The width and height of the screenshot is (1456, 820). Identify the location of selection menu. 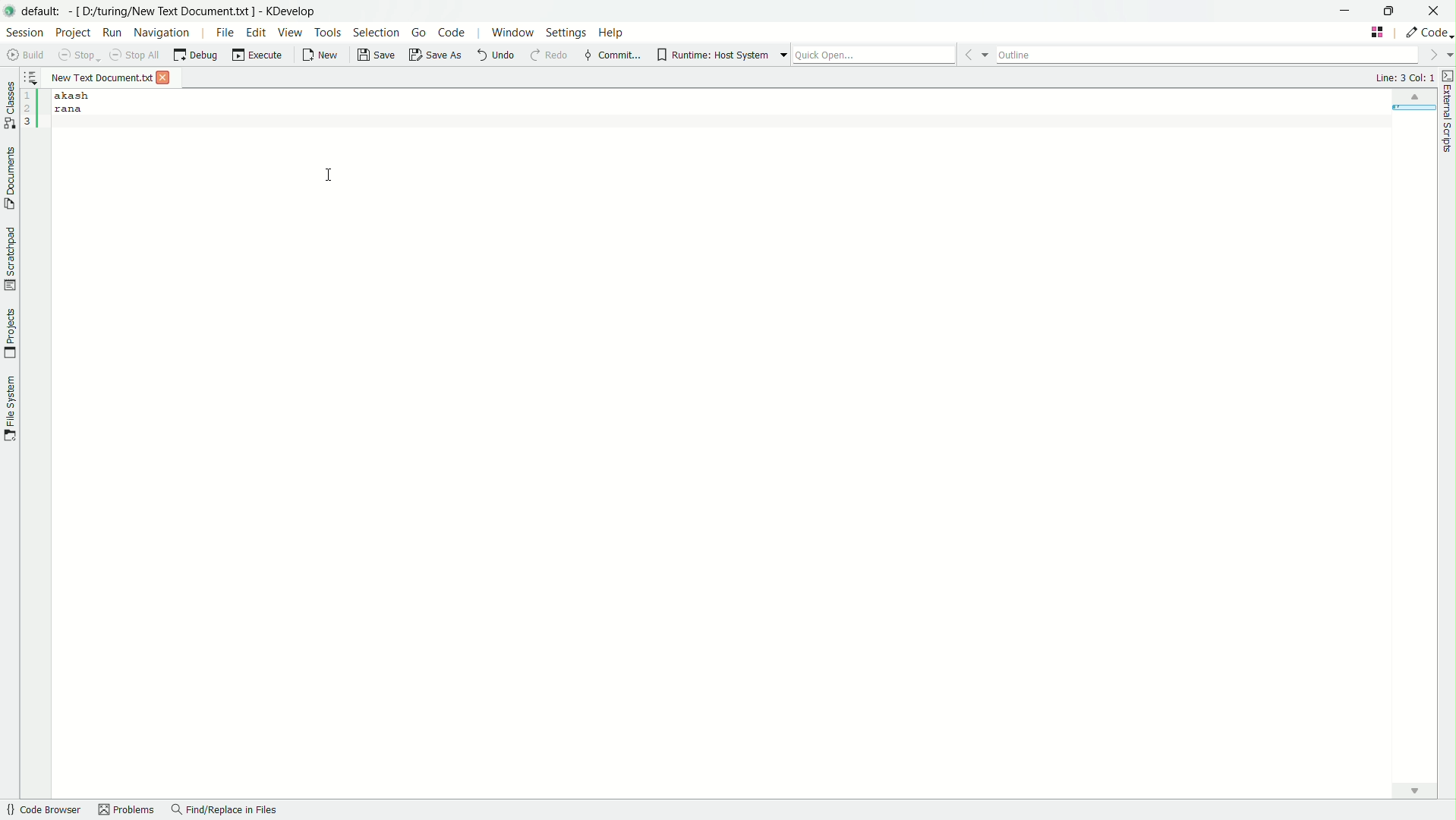
(374, 32).